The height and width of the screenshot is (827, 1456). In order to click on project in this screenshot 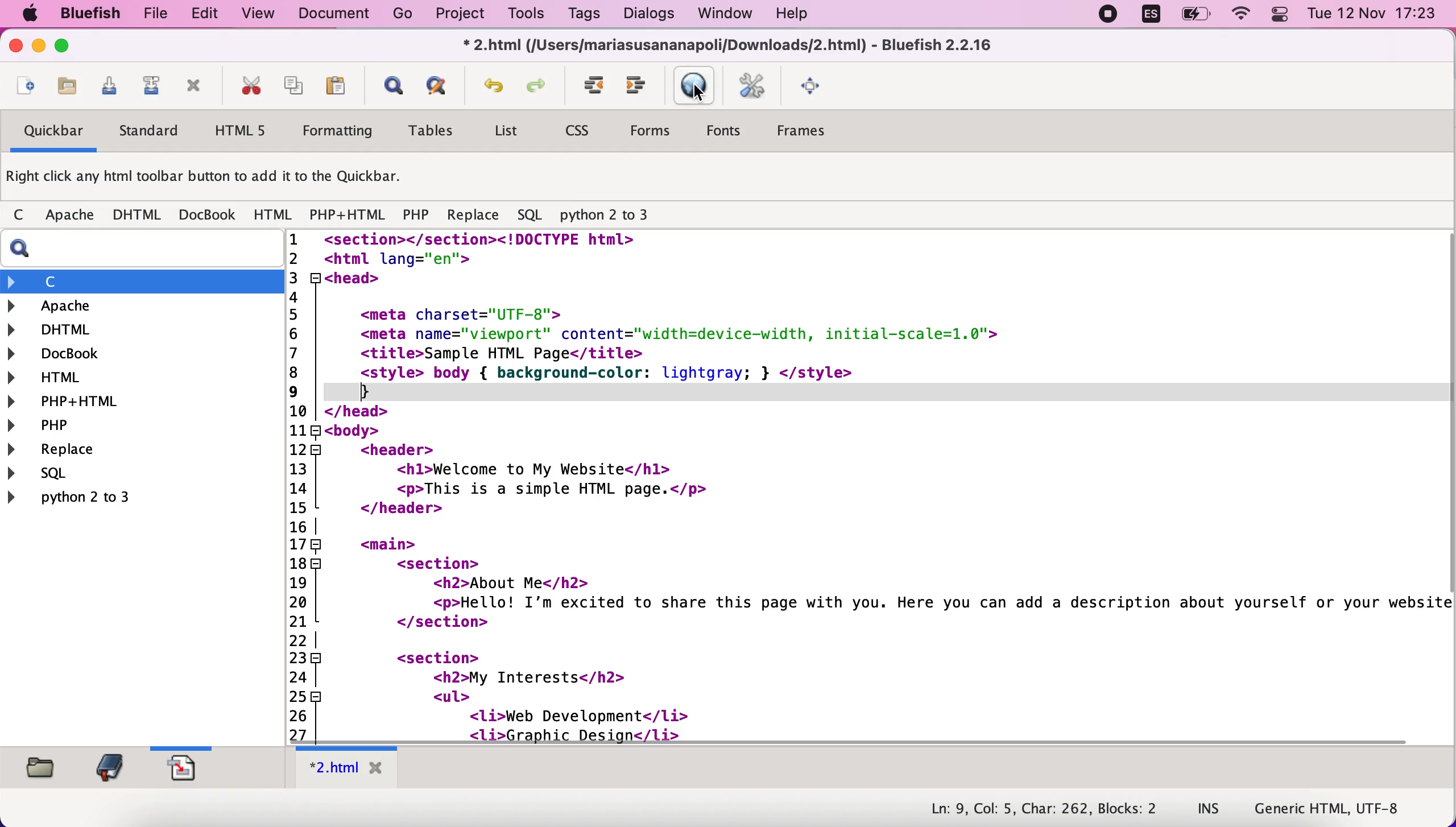, I will do `click(458, 15)`.